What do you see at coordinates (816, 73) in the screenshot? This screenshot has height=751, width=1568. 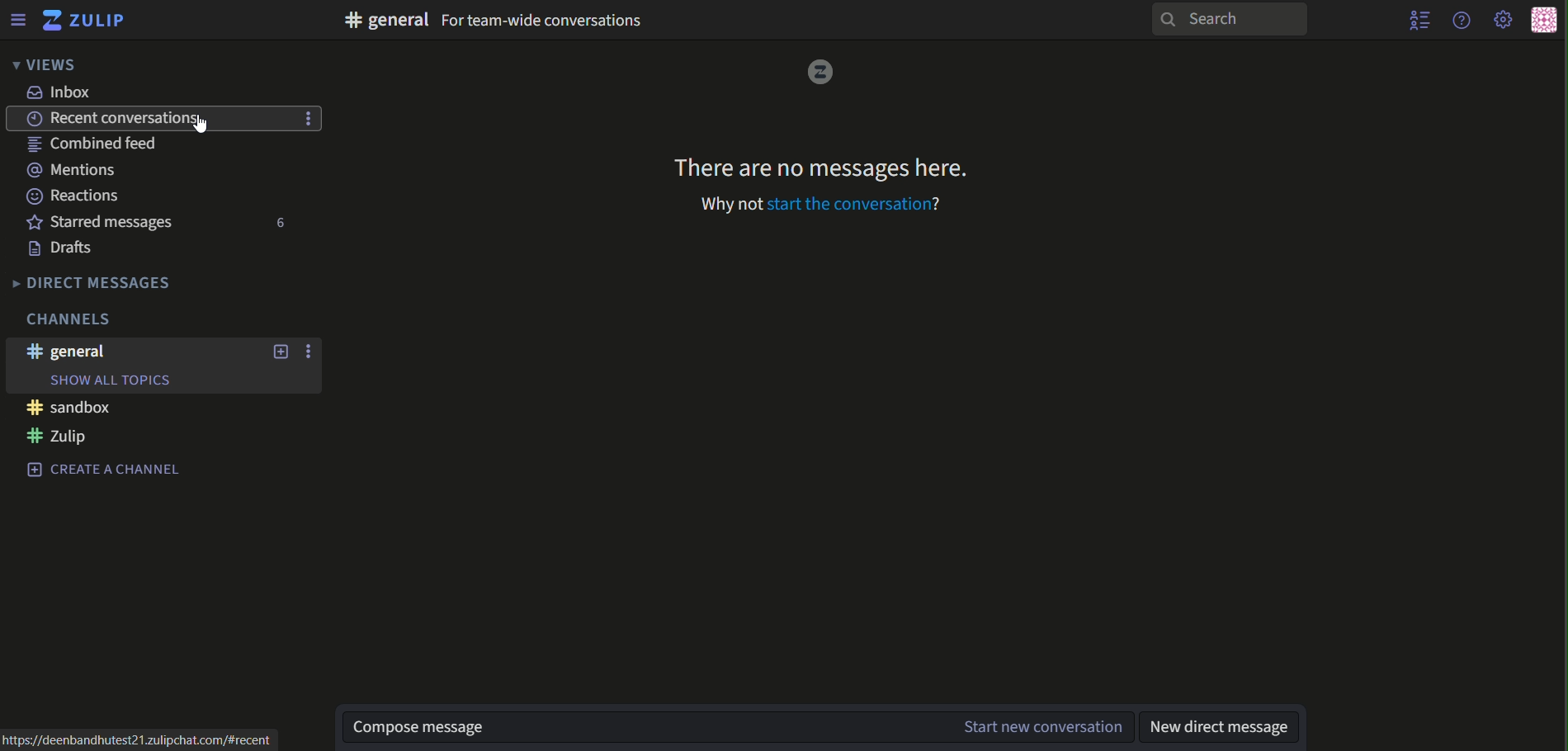 I see `logo` at bounding box center [816, 73].